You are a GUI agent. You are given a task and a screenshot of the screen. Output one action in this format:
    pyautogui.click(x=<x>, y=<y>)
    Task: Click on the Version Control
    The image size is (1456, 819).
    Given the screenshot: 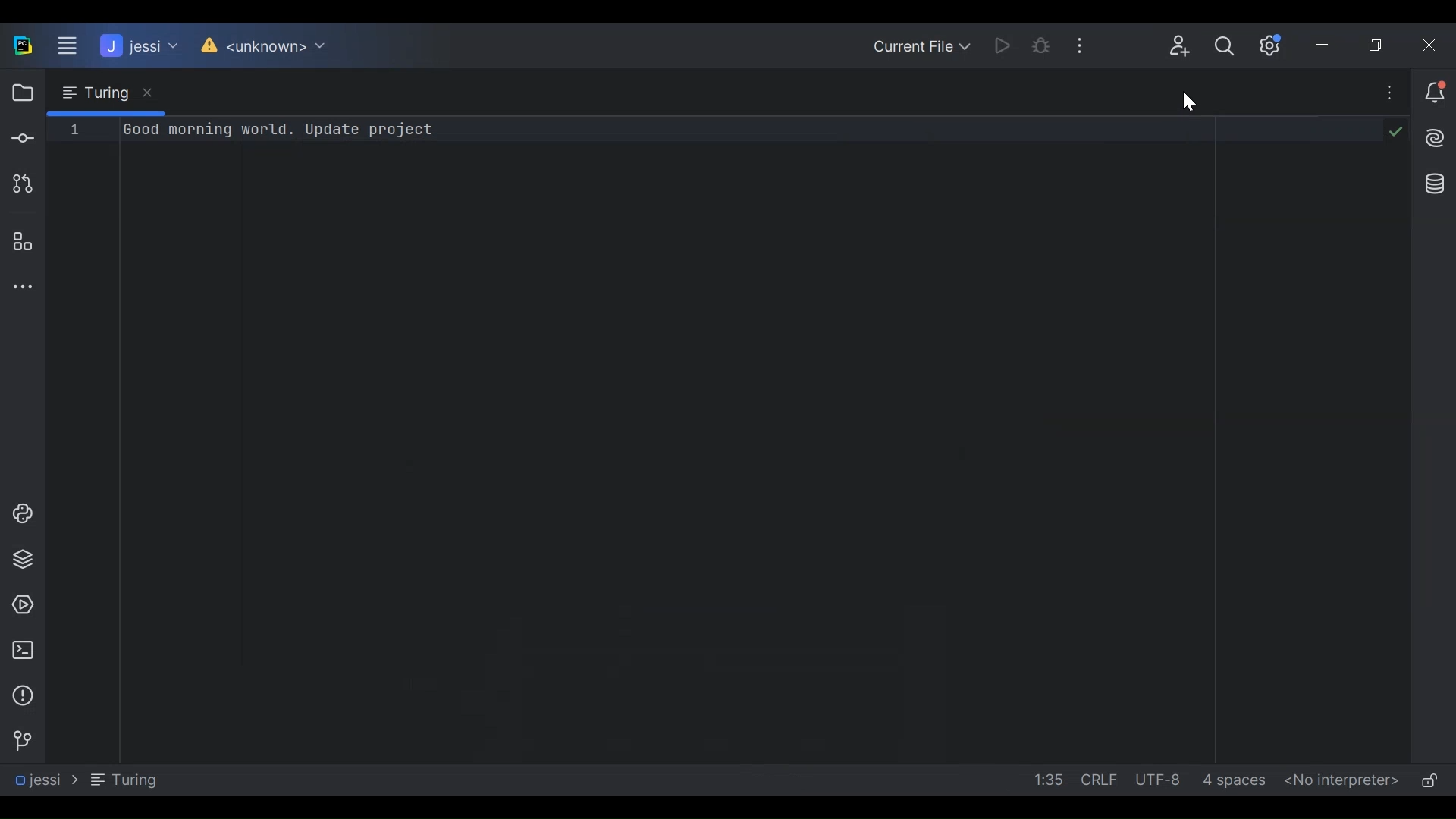 What is the action you would take?
    pyautogui.click(x=20, y=741)
    